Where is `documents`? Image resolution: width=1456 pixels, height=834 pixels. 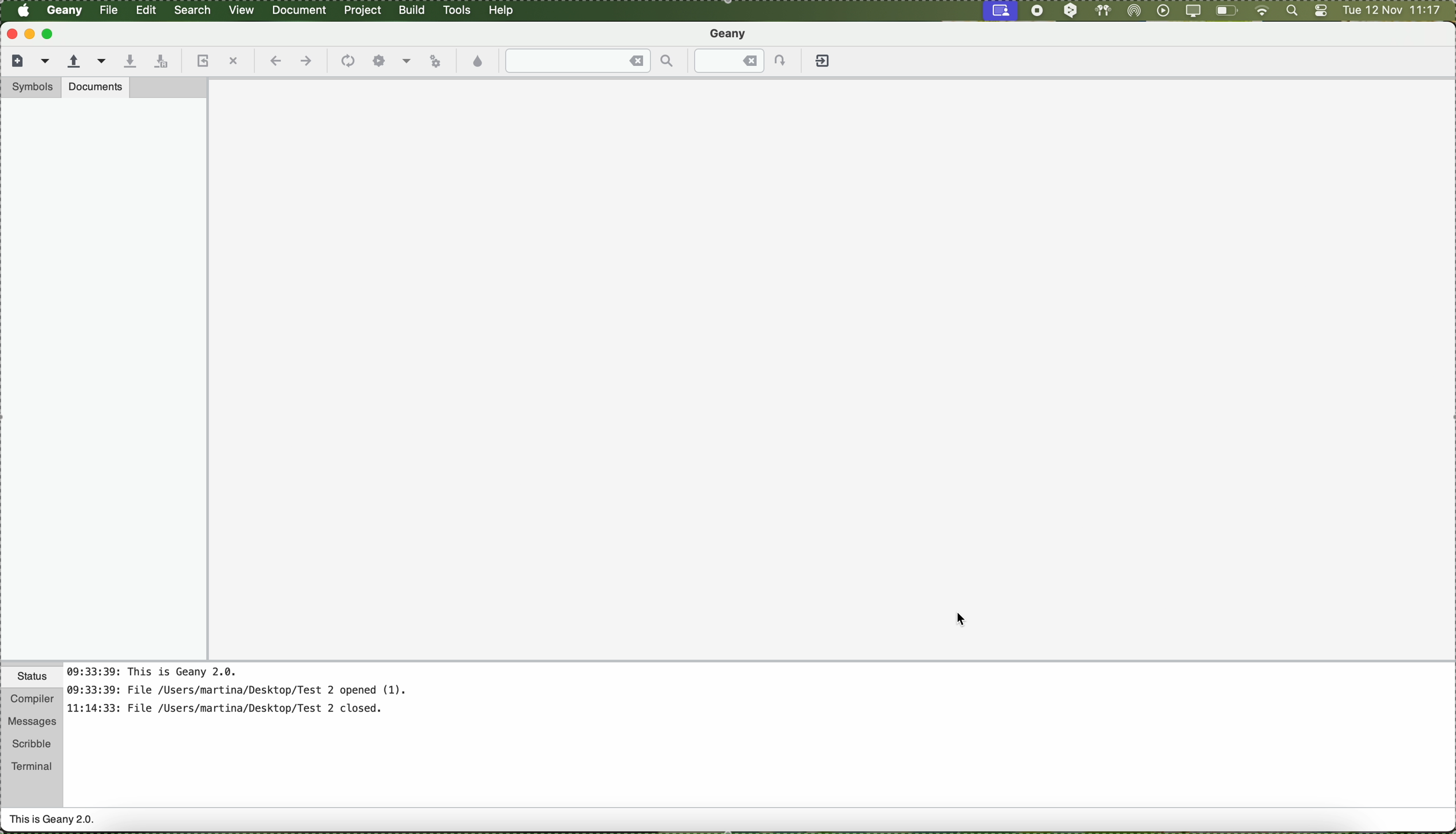
documents is located at coordinates (96, 86).